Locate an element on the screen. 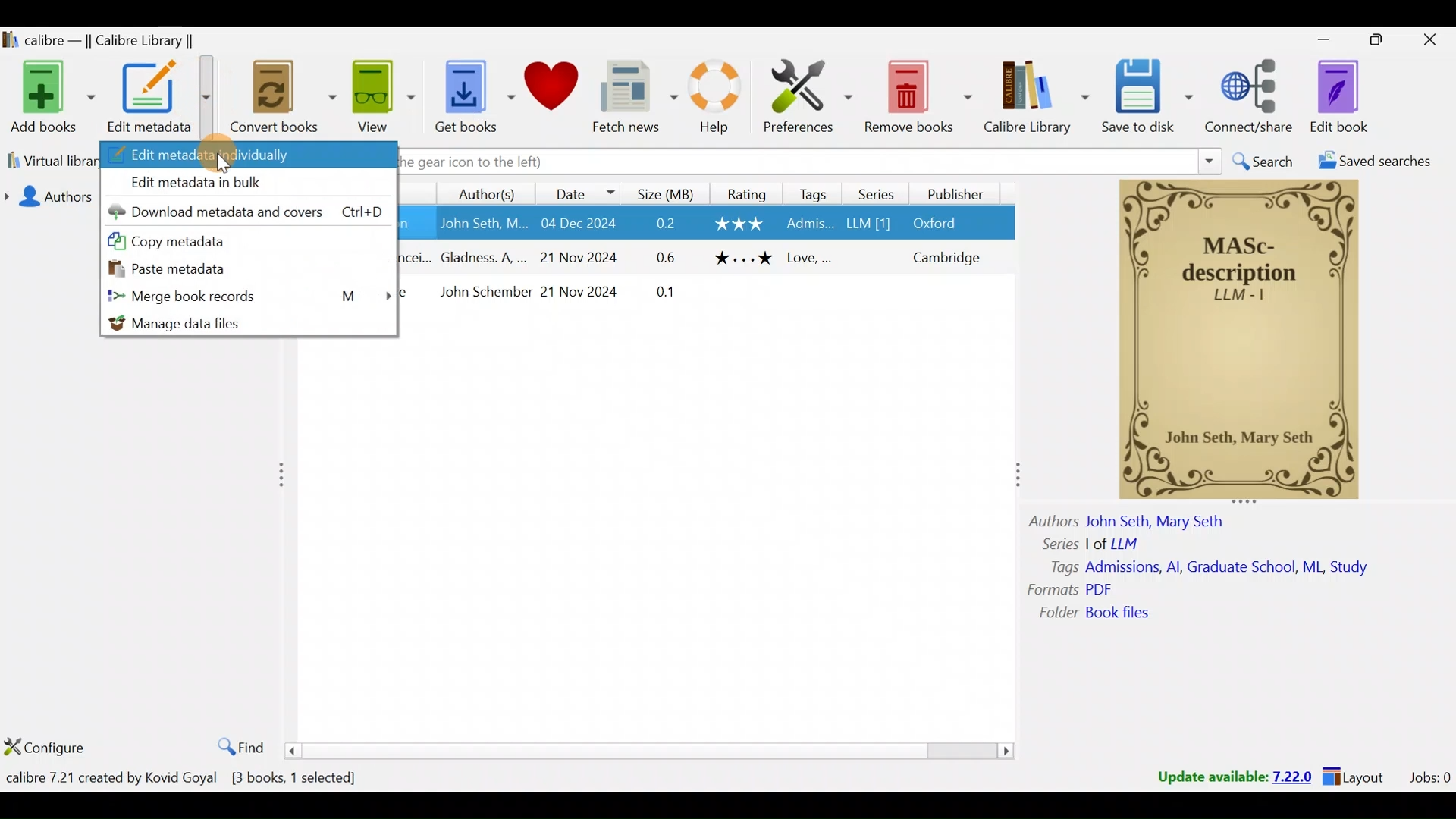 The width and height of the screenshot is (1456, 819). scroll bar is located at coordinates (650, 748).